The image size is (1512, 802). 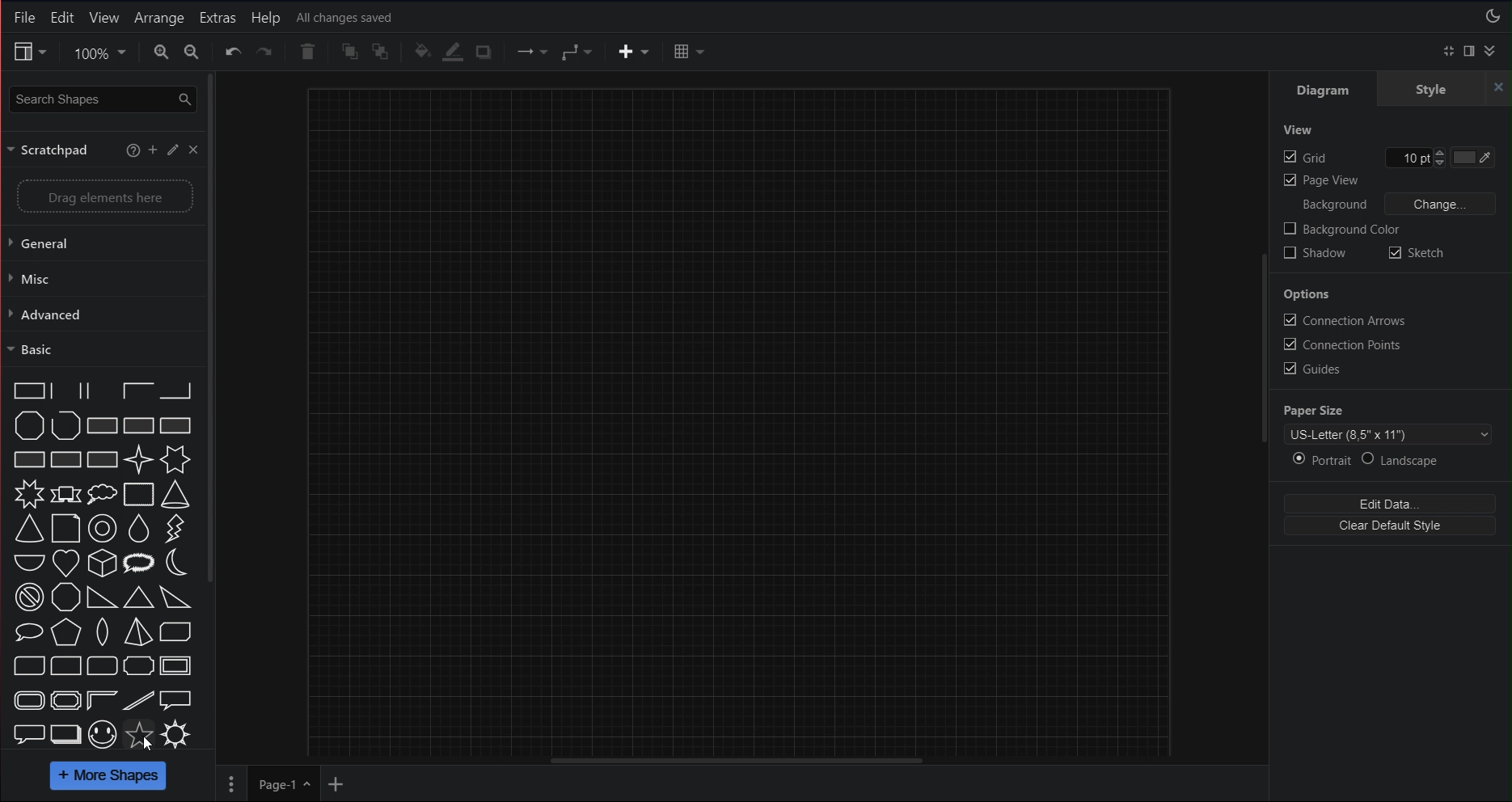 What do you see at coordinates (1298, 129) in the screenshot?
I see `View` at bounding box center [1298, 129].